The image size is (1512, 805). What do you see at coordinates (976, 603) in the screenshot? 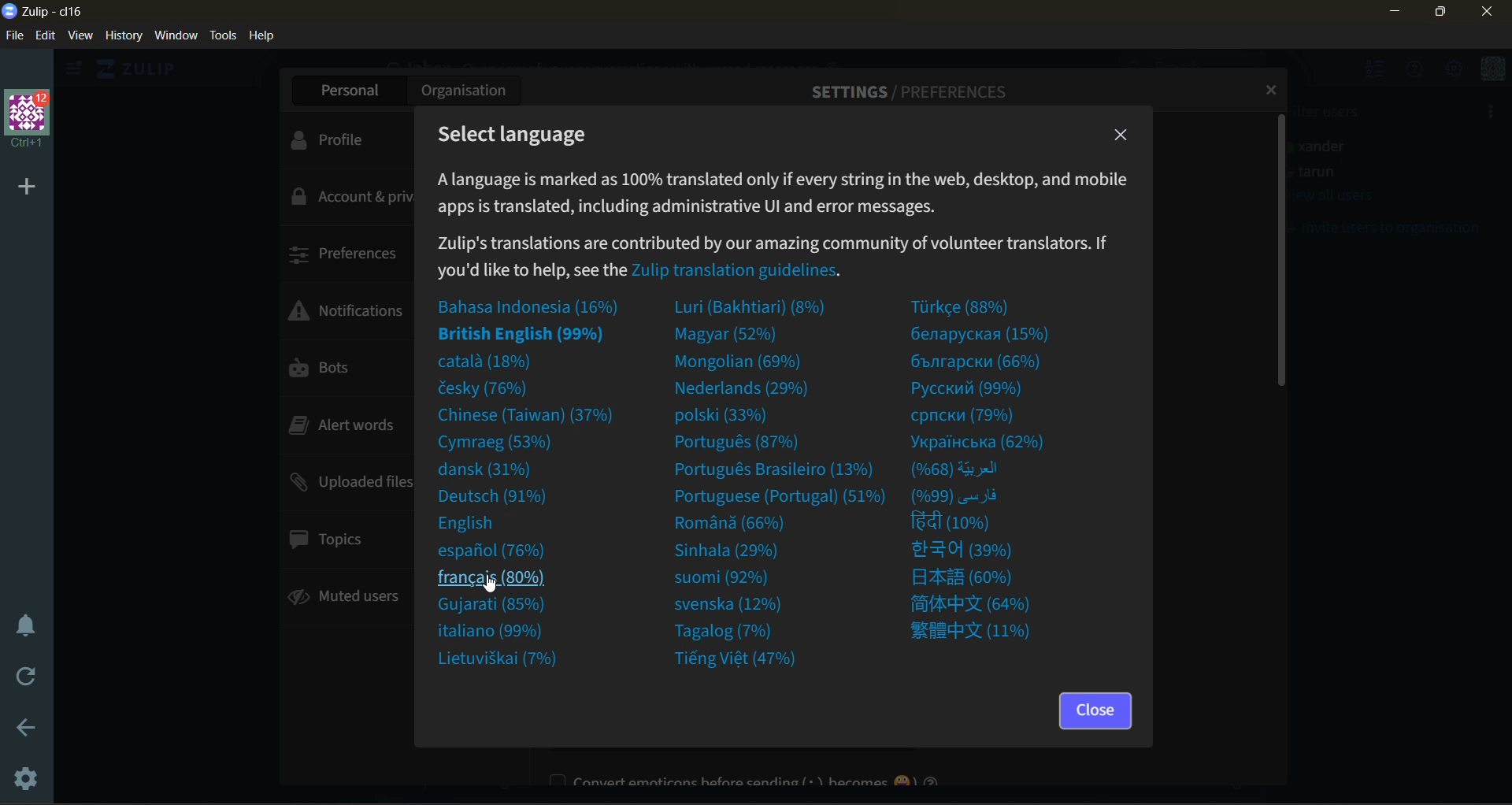
I see `foreign language` at bounding box center [976, 603].